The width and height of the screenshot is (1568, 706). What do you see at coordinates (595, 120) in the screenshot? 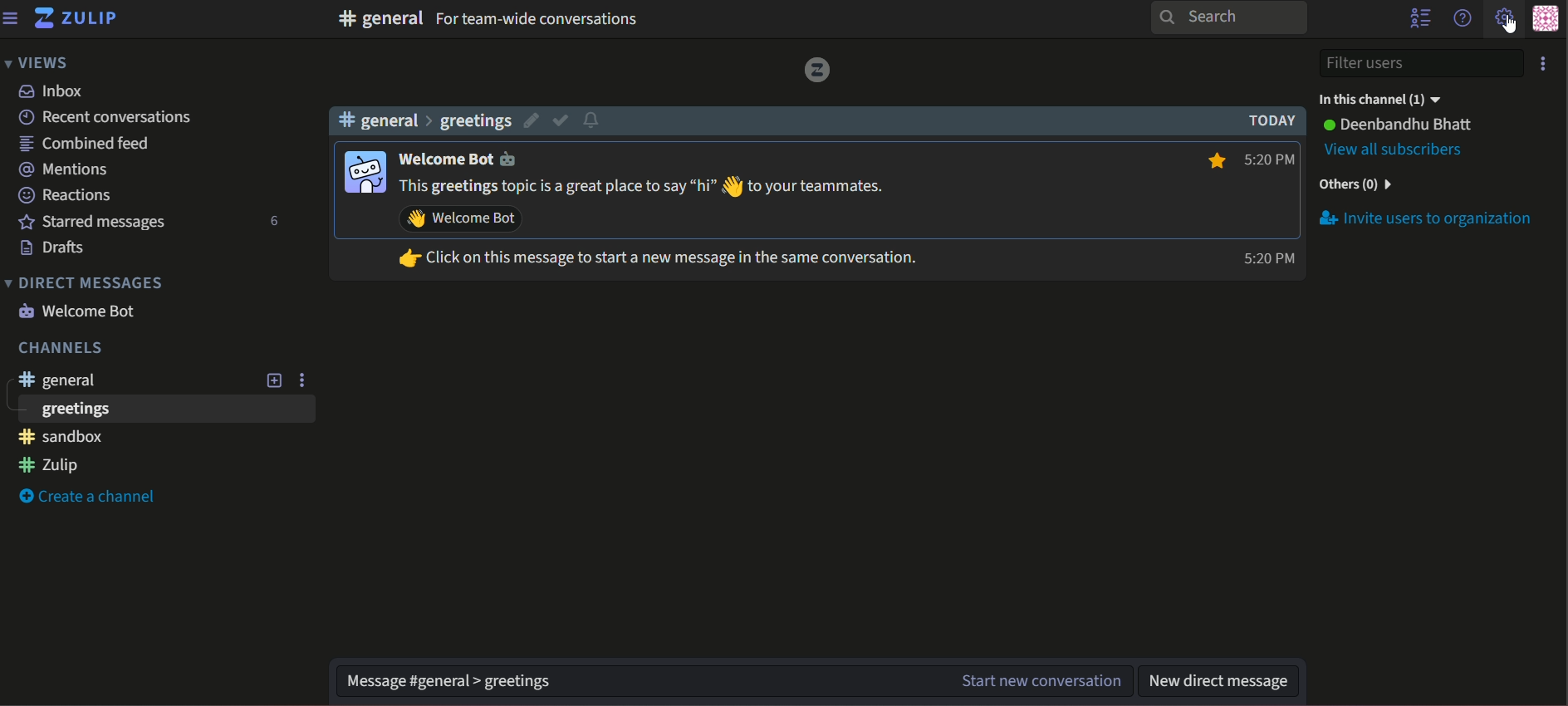
I see `notify` at bounding box center [595, 120].